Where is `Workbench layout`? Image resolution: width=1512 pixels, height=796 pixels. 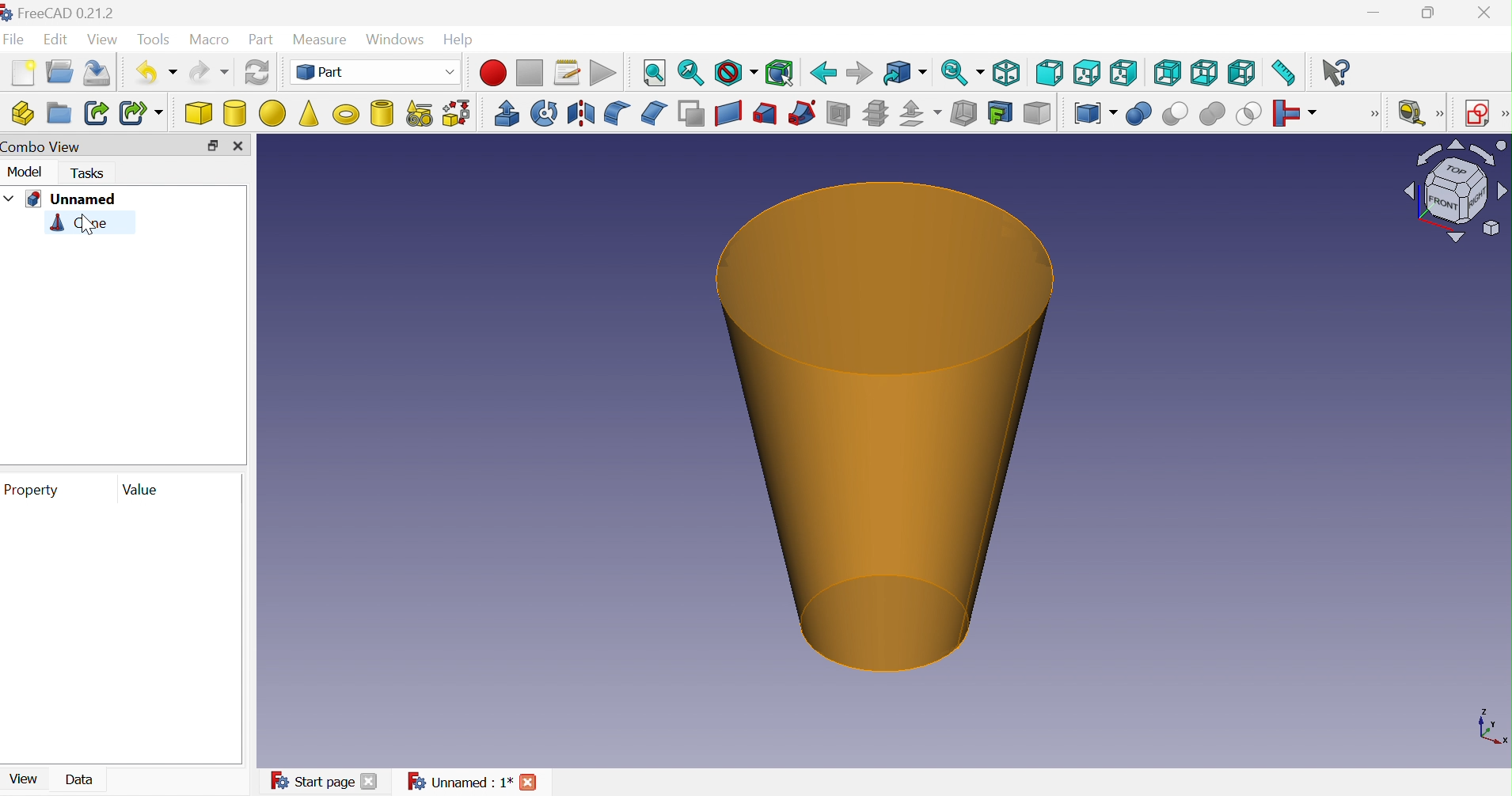
Workbench layout is located at coordinates (1455, 191).